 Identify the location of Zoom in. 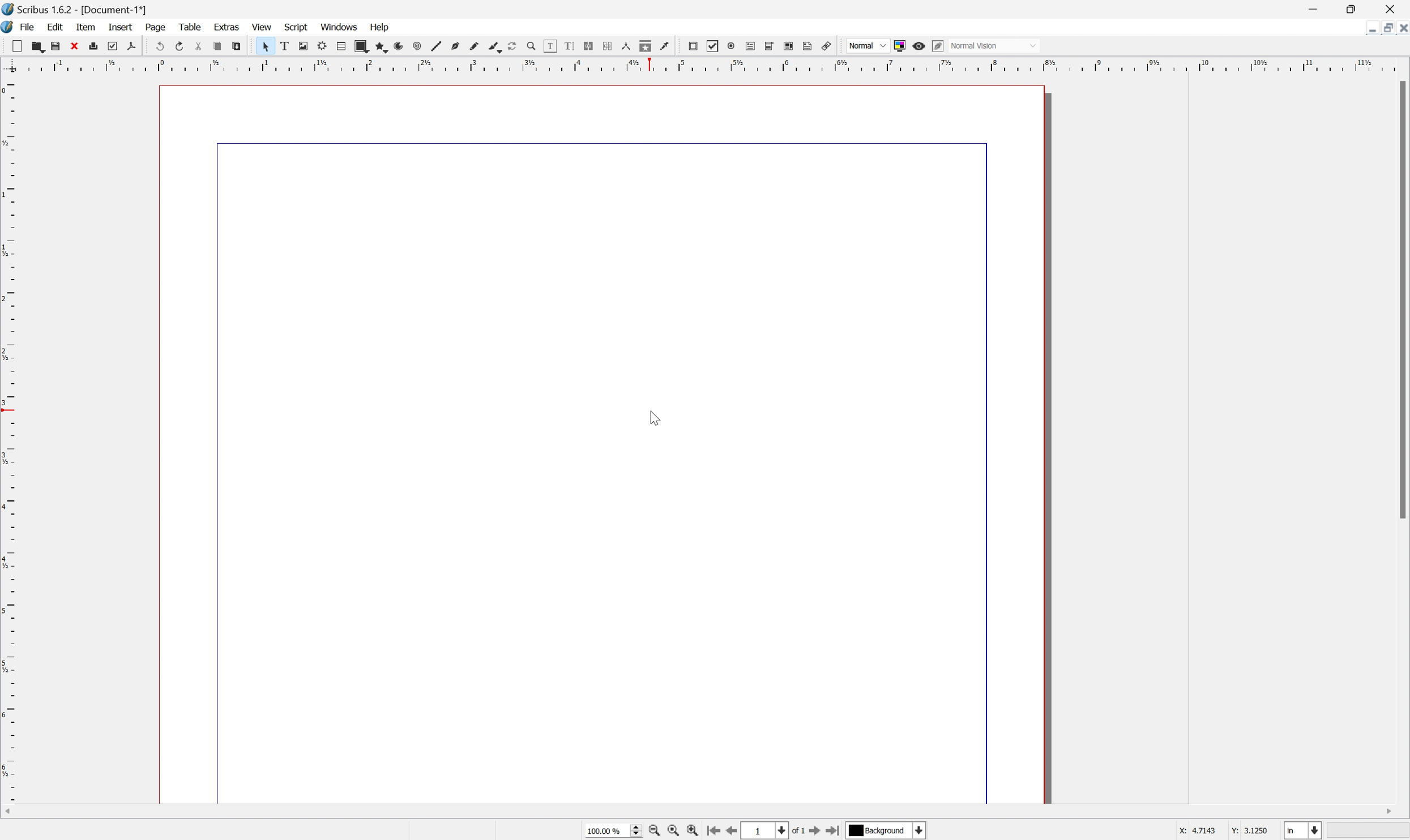
(694, 831).